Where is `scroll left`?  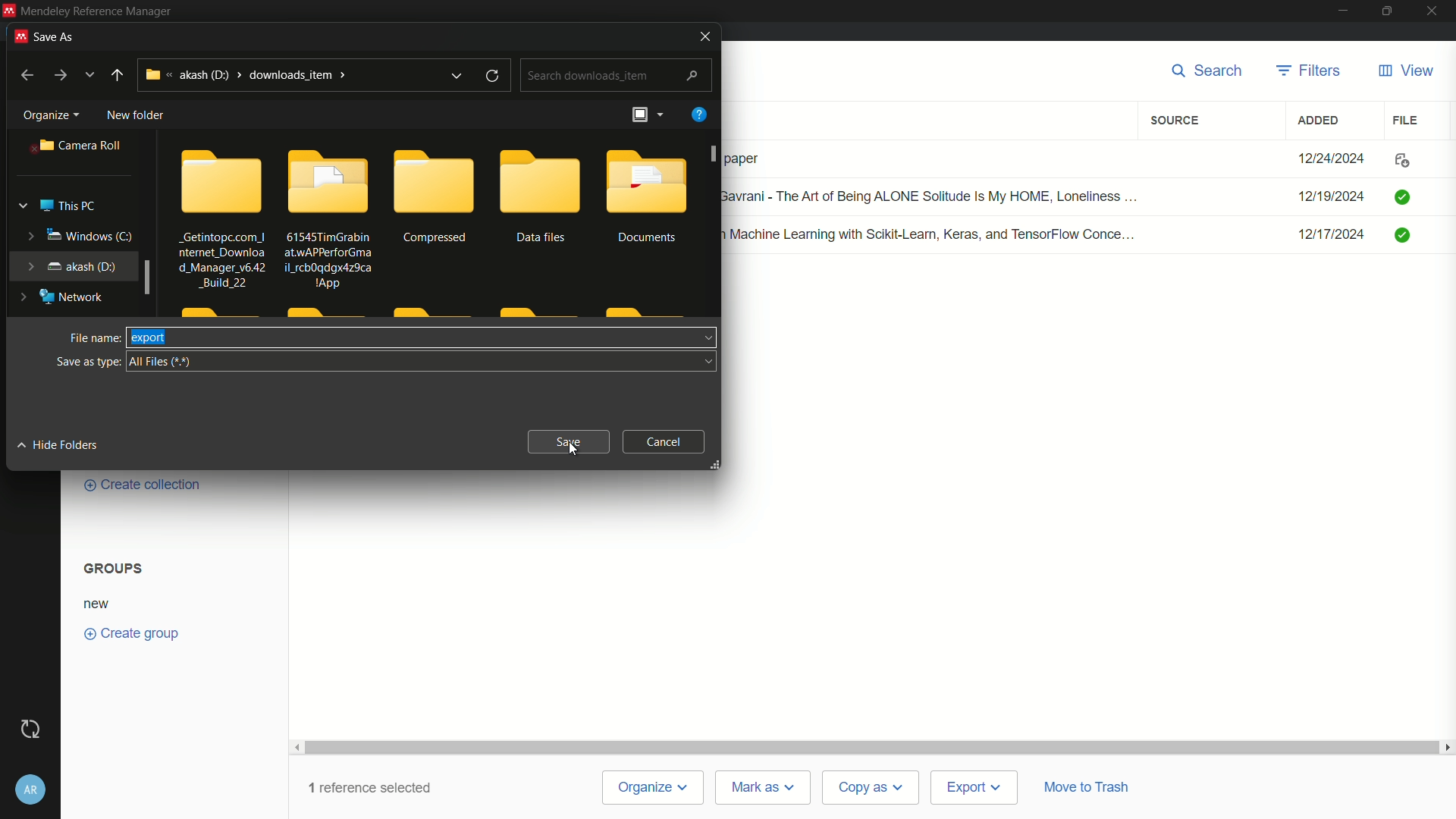 scroll left is located at coordinates (298, 747).